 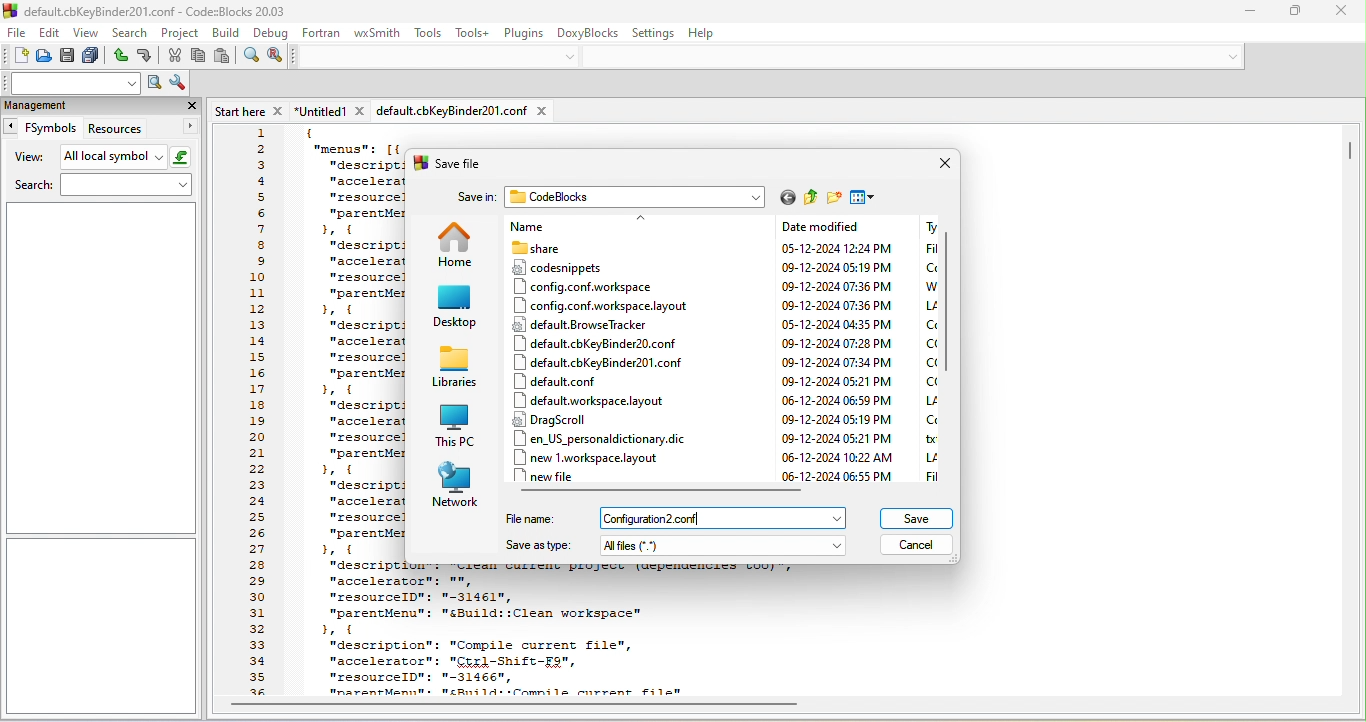 I want to click on this pc, so click(x=458, y=425).